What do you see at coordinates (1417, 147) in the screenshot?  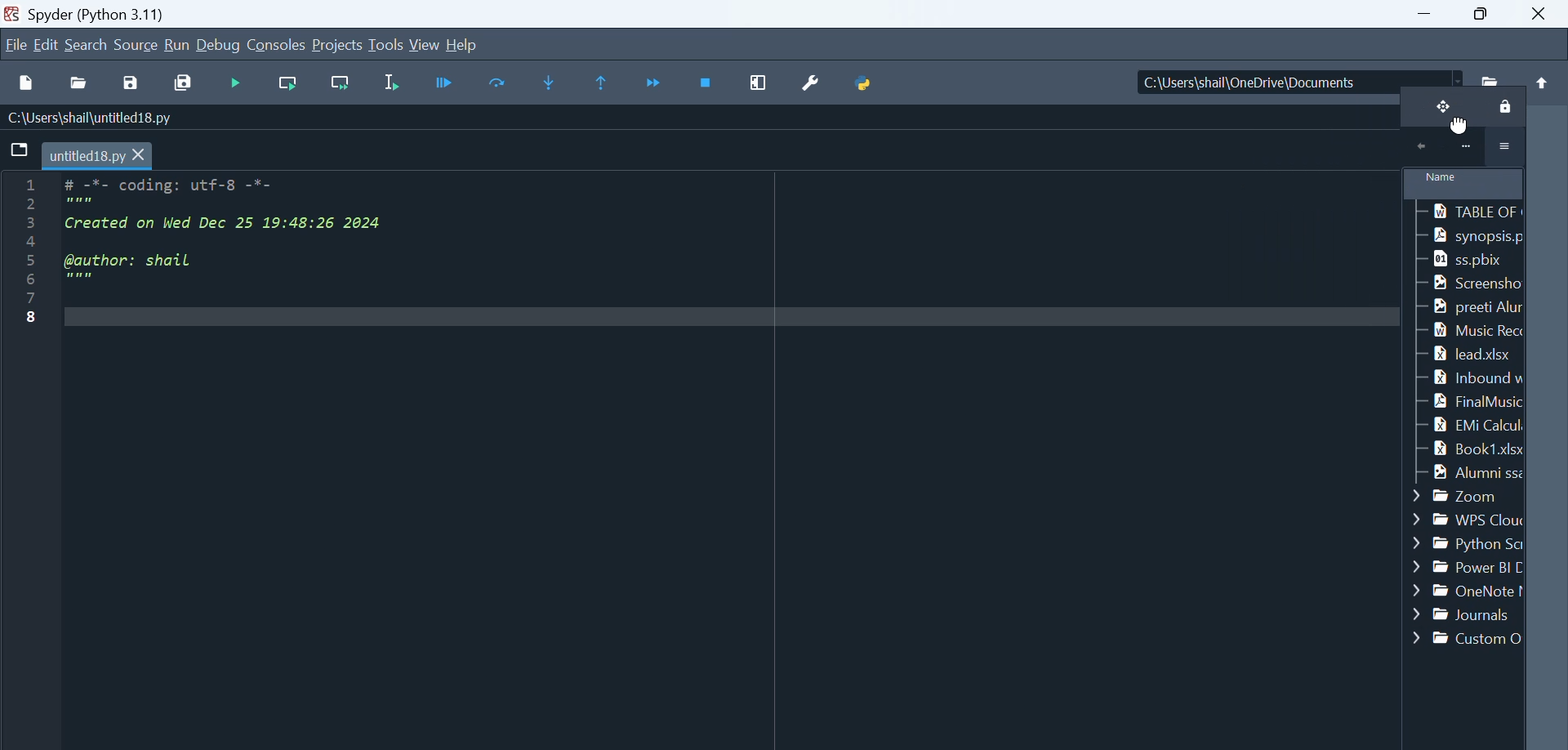 I see `icon ` at bounding box center [1417, 147].